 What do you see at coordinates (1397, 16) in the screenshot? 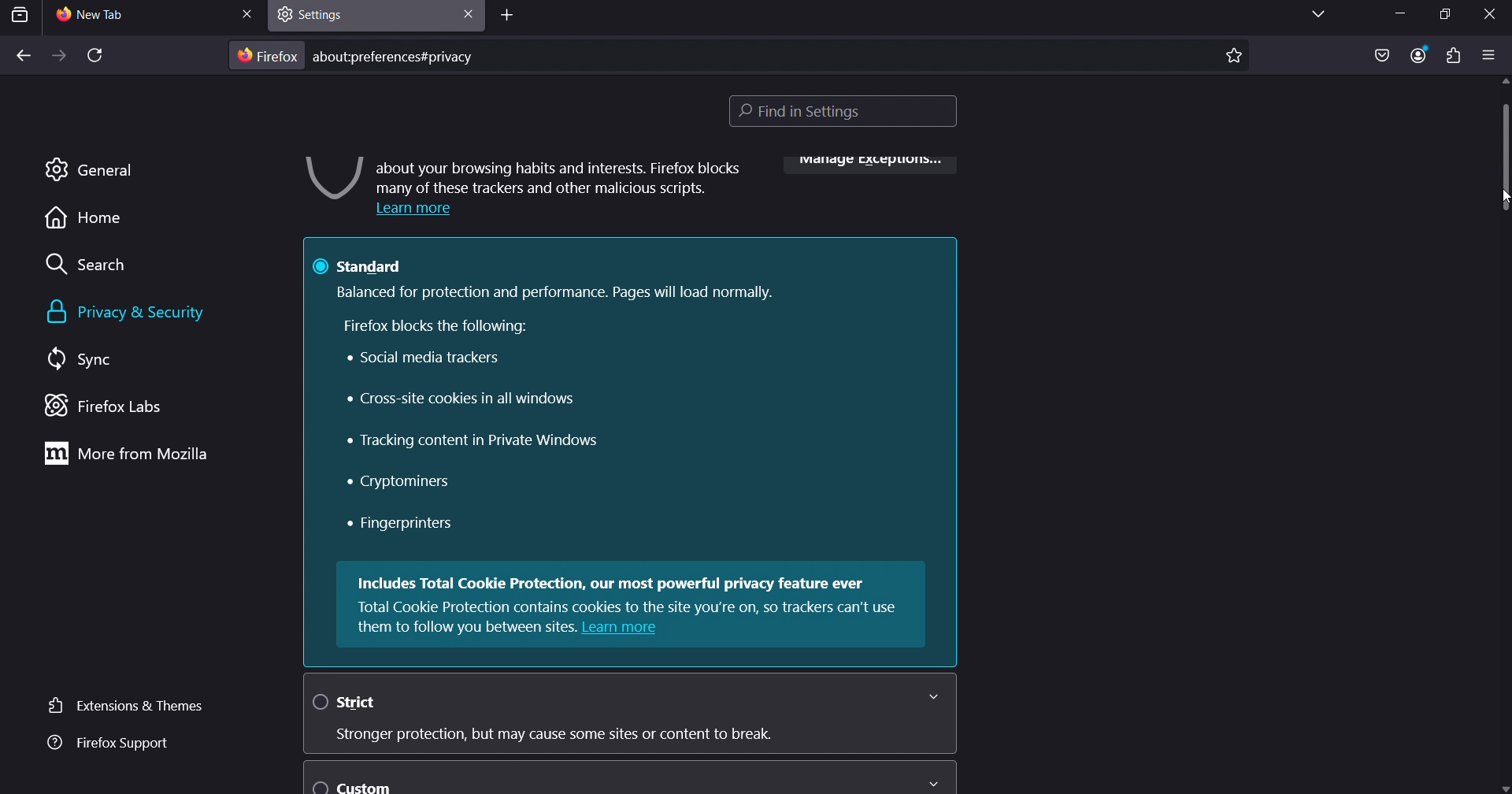
I see `minimize` at bounding box center [1397, 16].